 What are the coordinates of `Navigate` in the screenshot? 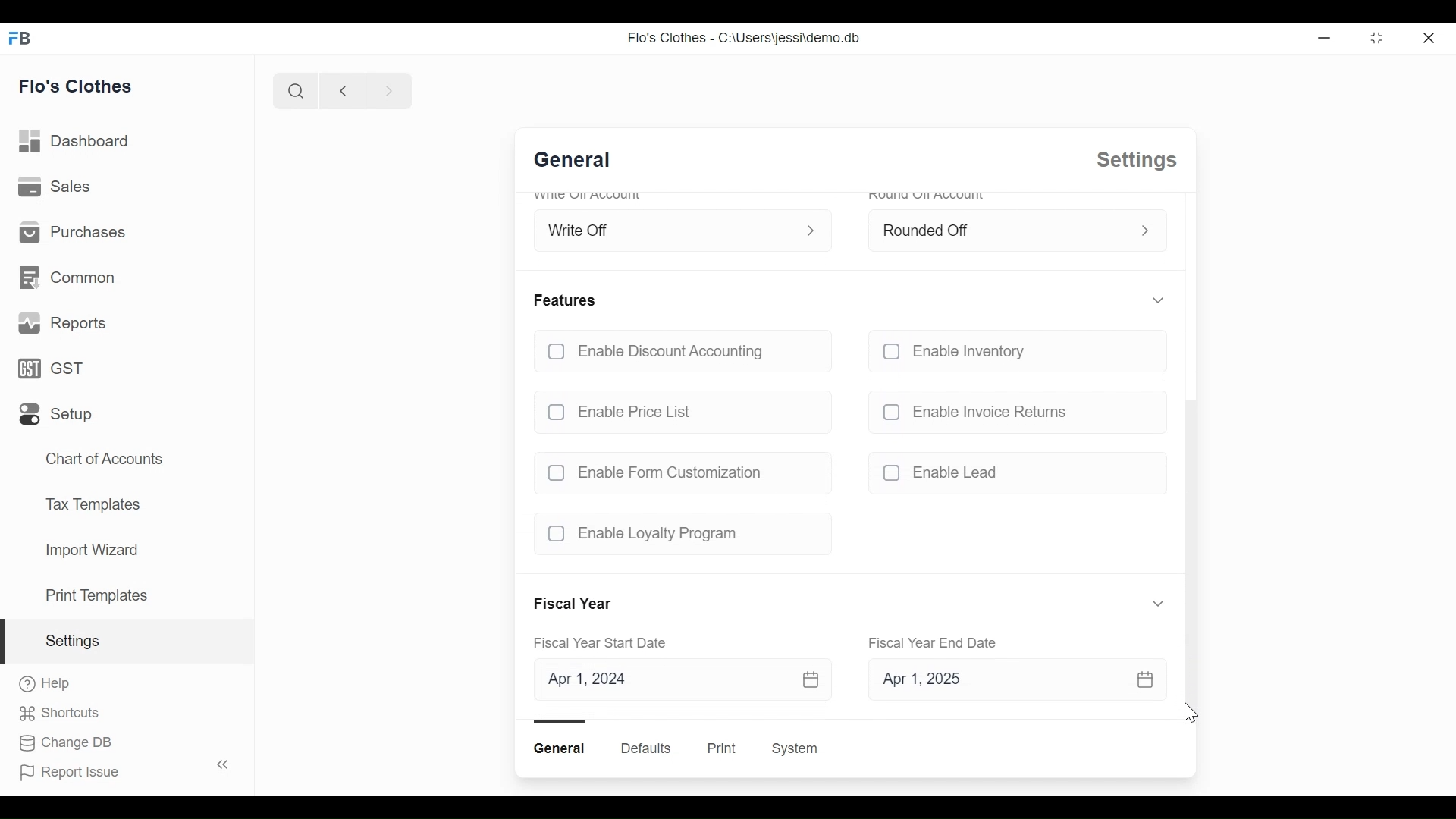 It's located at (387, 89).